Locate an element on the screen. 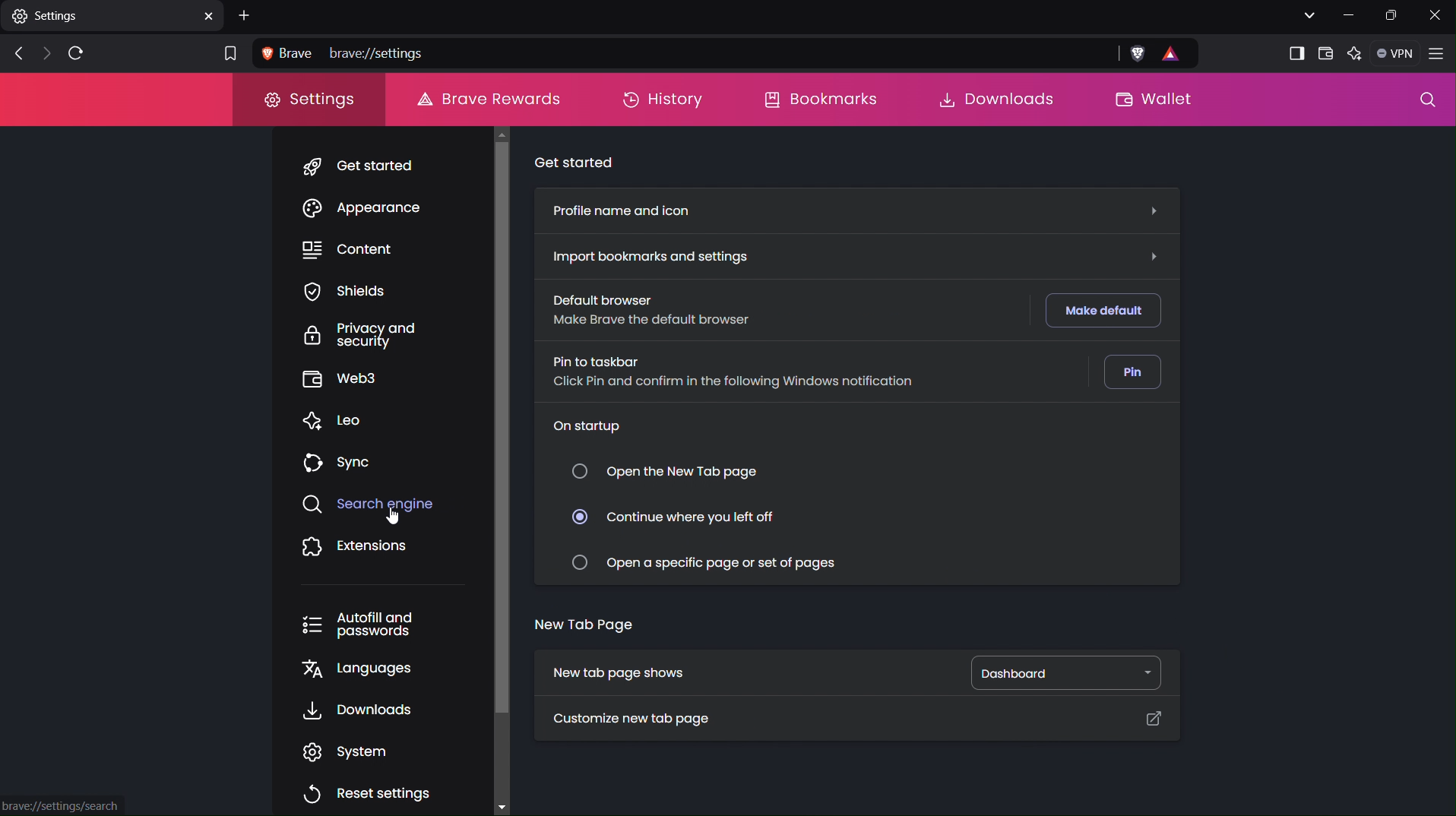 The image size is (1456, 816). Refresh is located at coordinates (74, 54).